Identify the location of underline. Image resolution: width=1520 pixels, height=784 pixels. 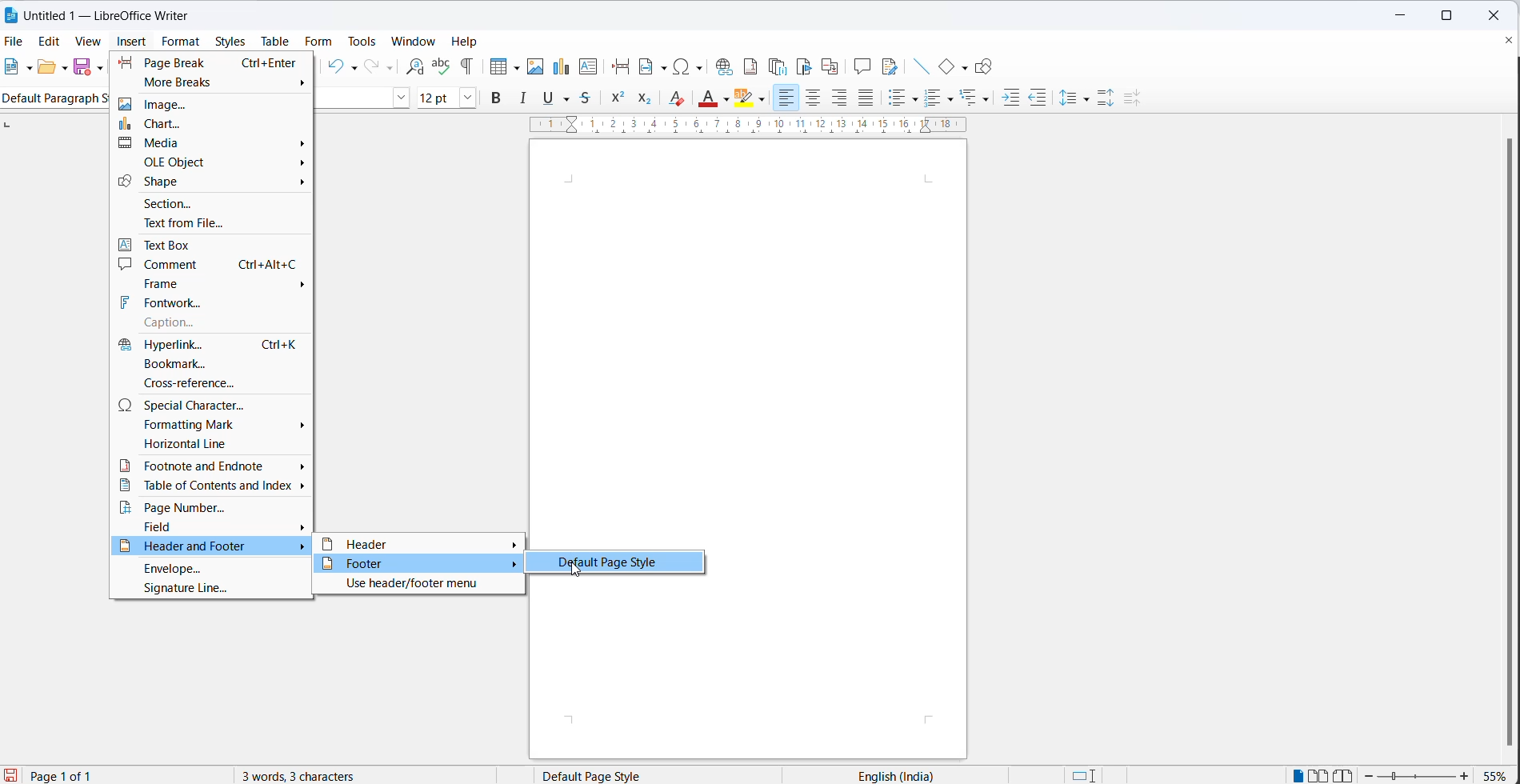
(550, 98).